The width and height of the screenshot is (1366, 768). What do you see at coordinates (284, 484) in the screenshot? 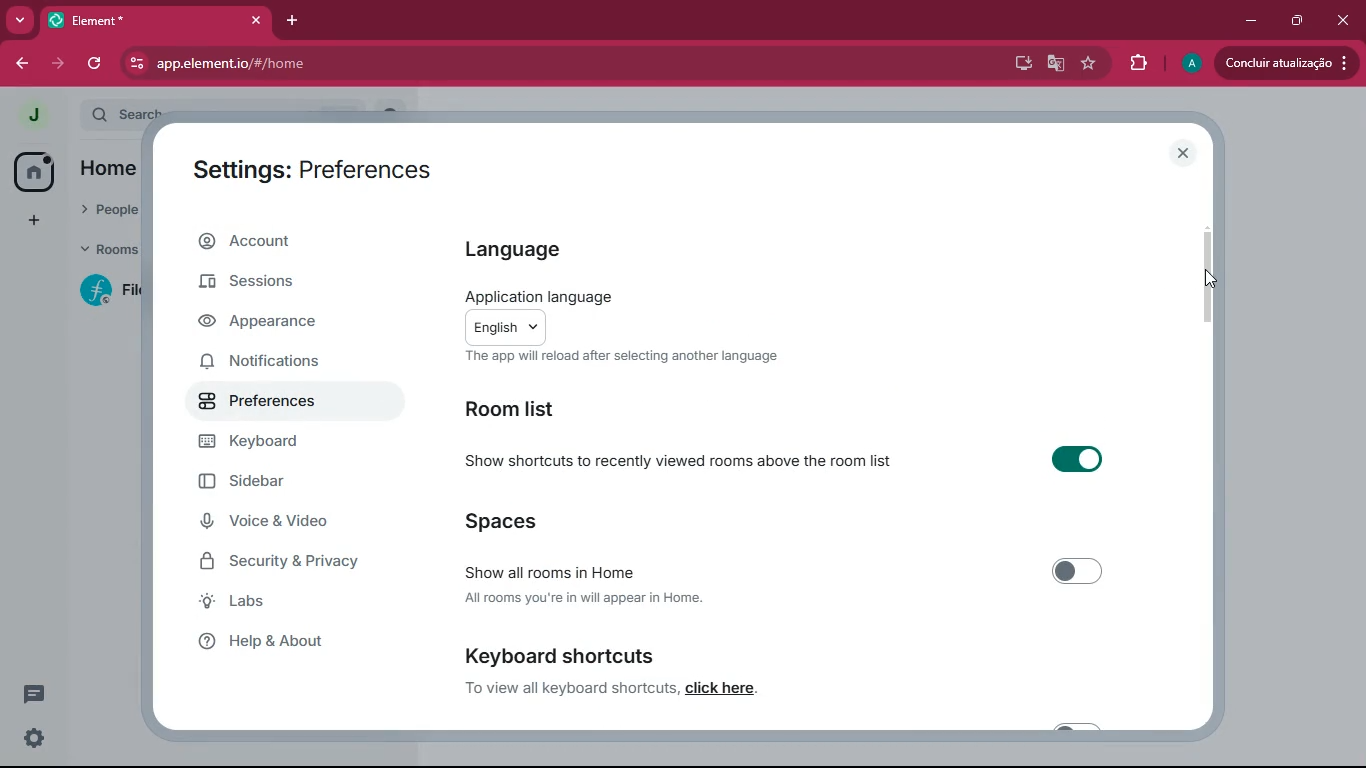
I see `sidebar ` at bounding box center [284, 484].